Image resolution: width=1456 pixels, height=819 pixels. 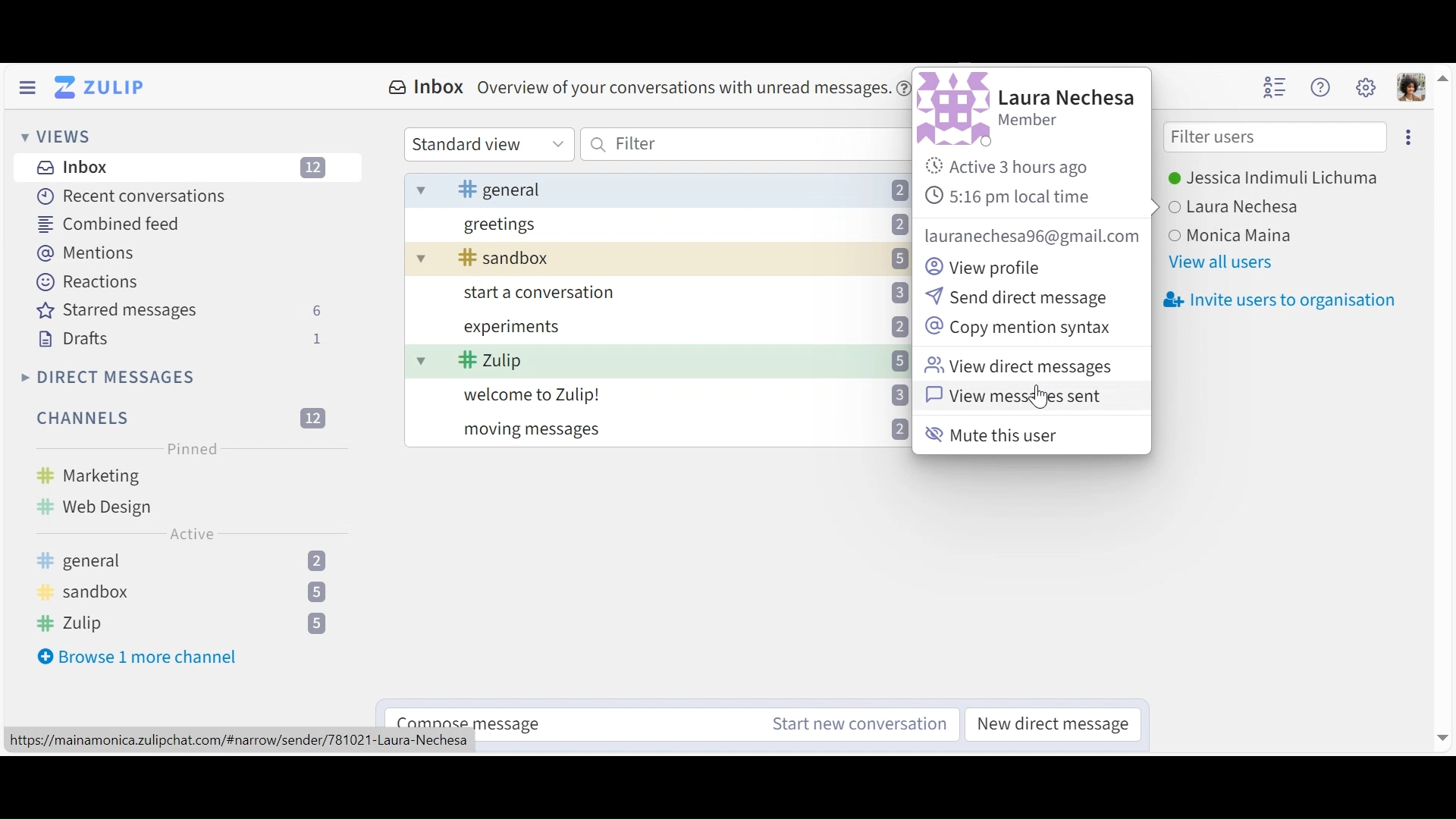 What do you see at coordinates (180, 311) in the screenshot?
I see `Starred messages` at bounding box center [180, 311].